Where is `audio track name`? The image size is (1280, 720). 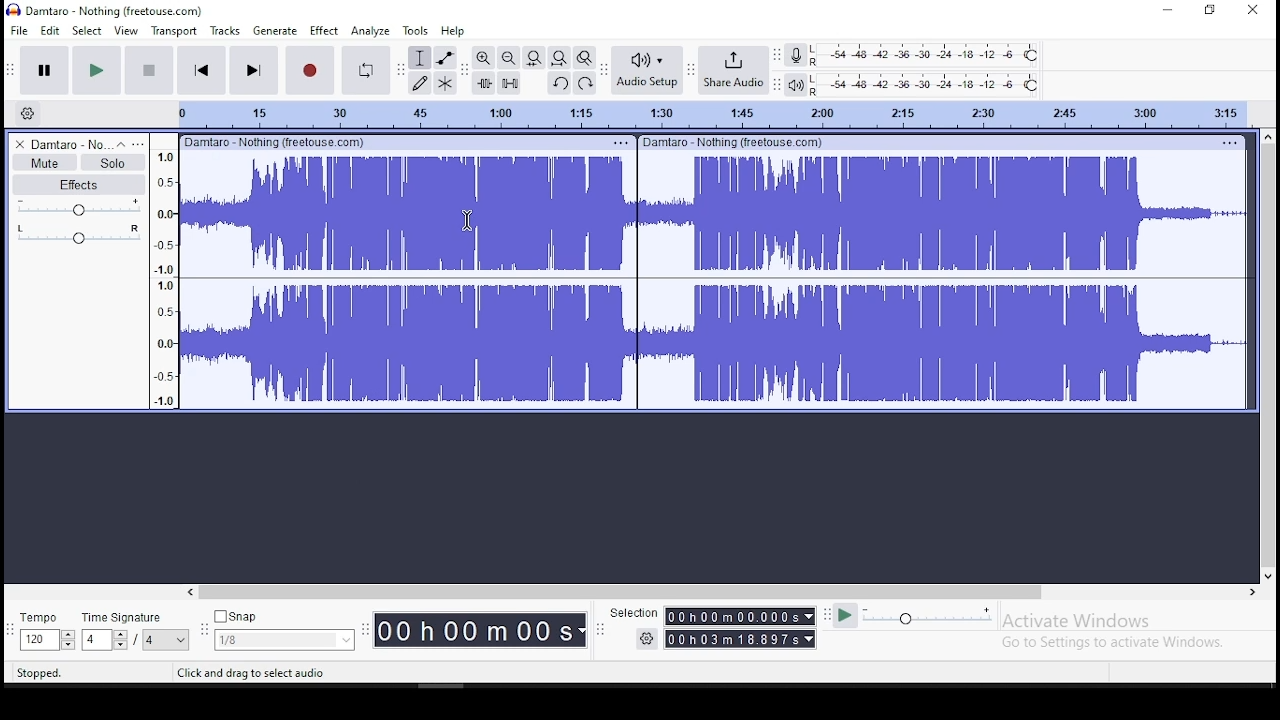 audio track name is located at coordinates (70, 145).